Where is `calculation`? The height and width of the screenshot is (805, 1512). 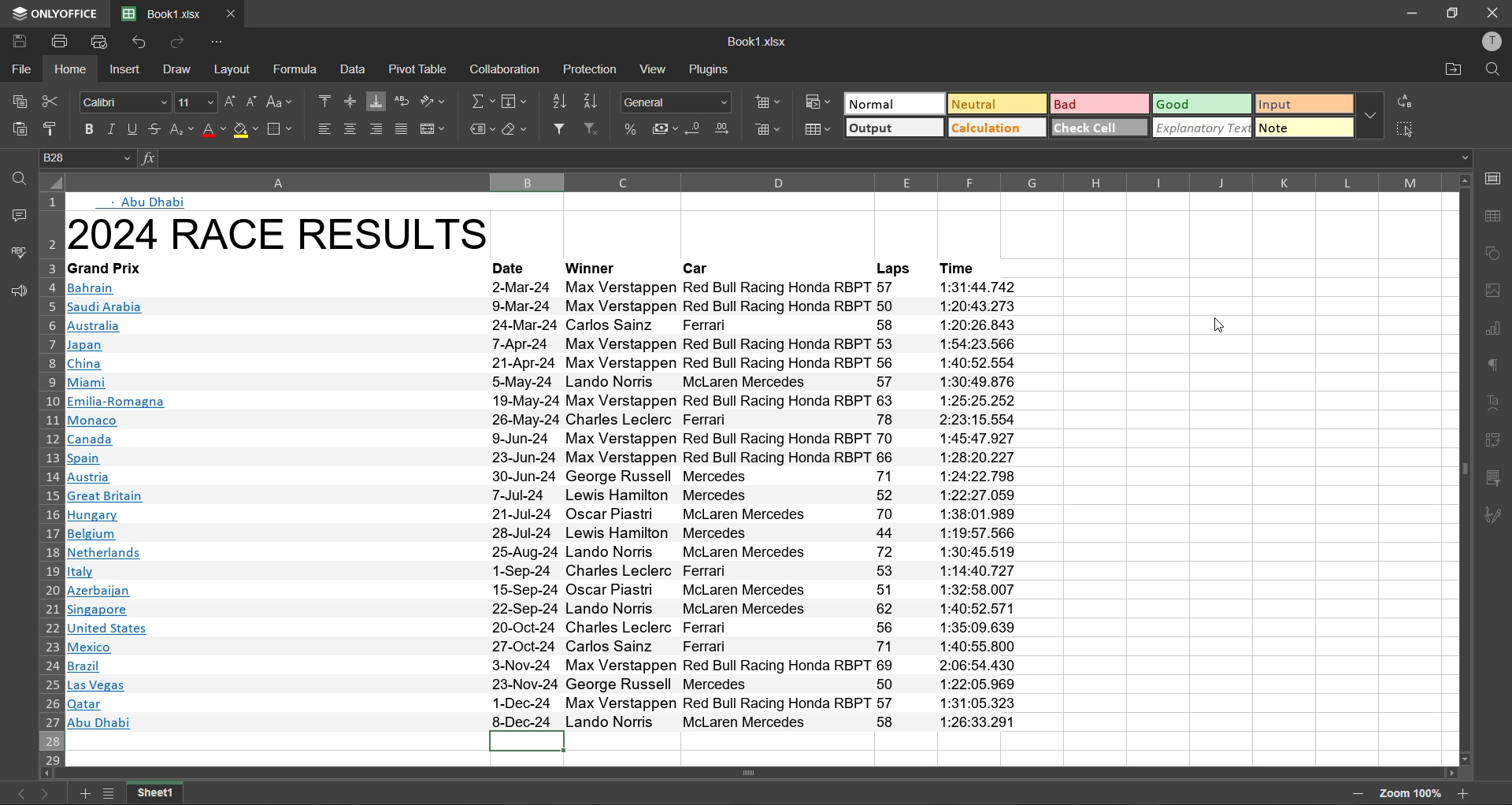
calculation is located at coordinates (996, 128).